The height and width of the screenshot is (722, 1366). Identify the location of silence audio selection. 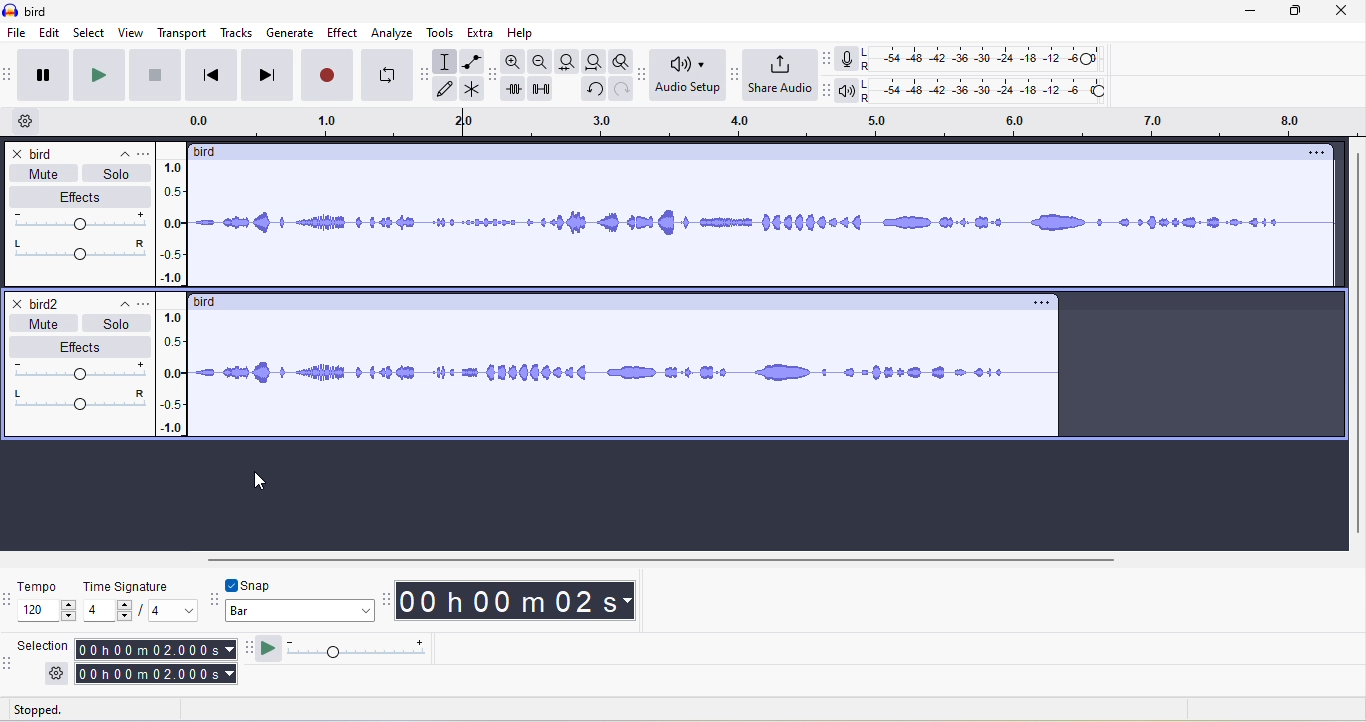
(546, 89).